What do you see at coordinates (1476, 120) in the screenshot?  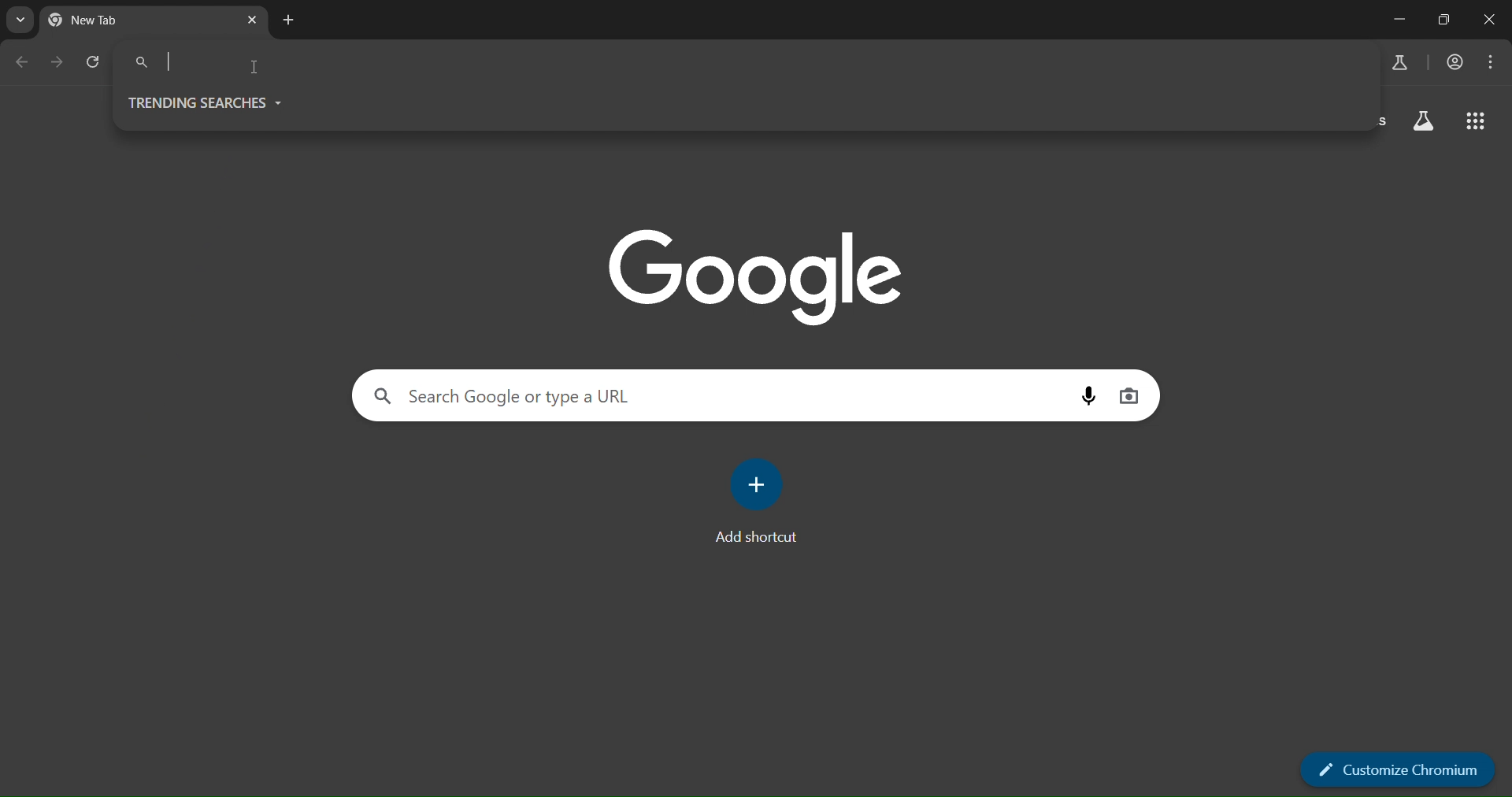 I see `google apps` at bounding box center [1476, 120].